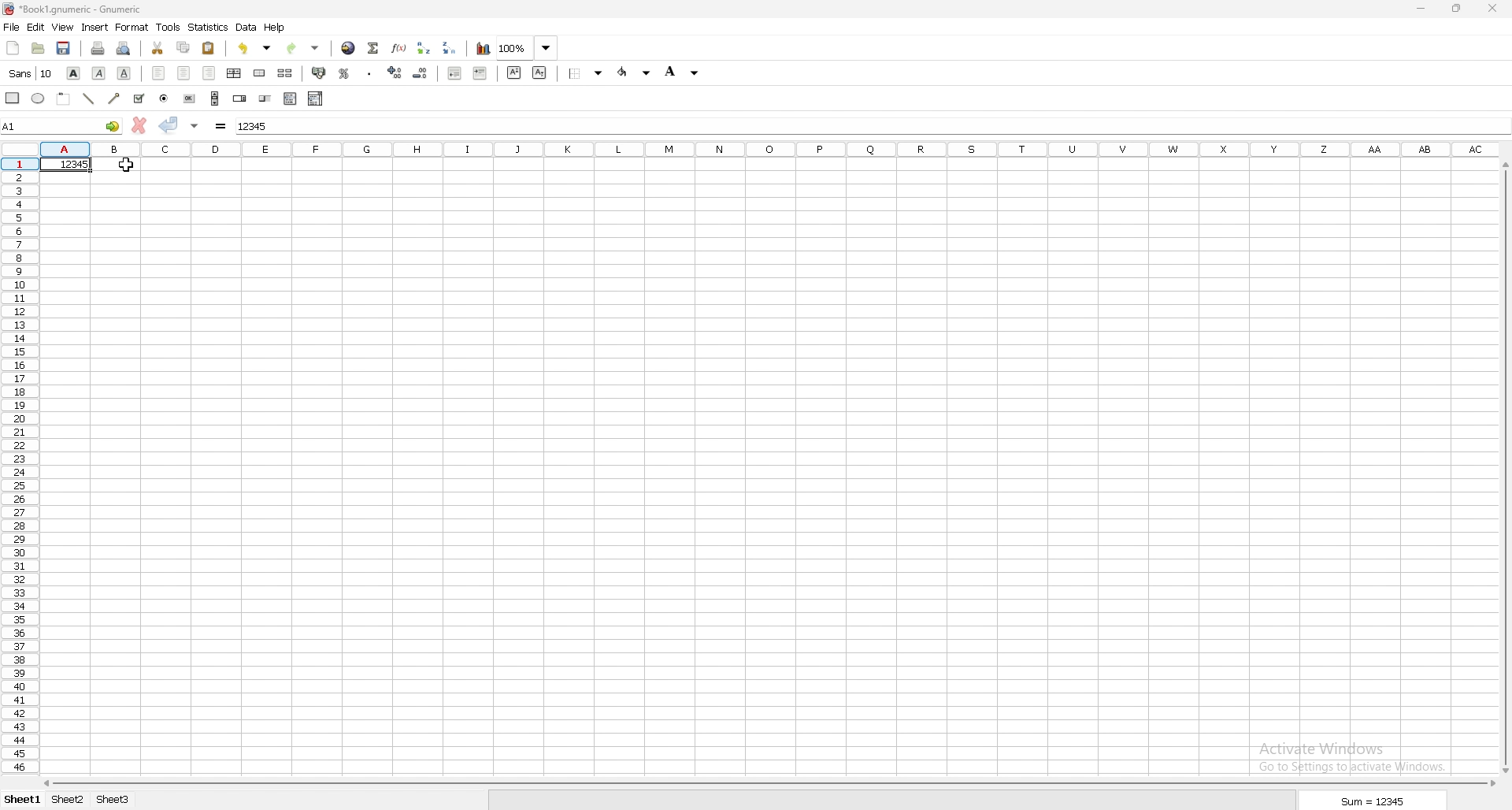 The height and width of the screenshot is (810, 1512). Describe the element at coordinates (514, 72) in the screenshot. I see `superscript` at that location.